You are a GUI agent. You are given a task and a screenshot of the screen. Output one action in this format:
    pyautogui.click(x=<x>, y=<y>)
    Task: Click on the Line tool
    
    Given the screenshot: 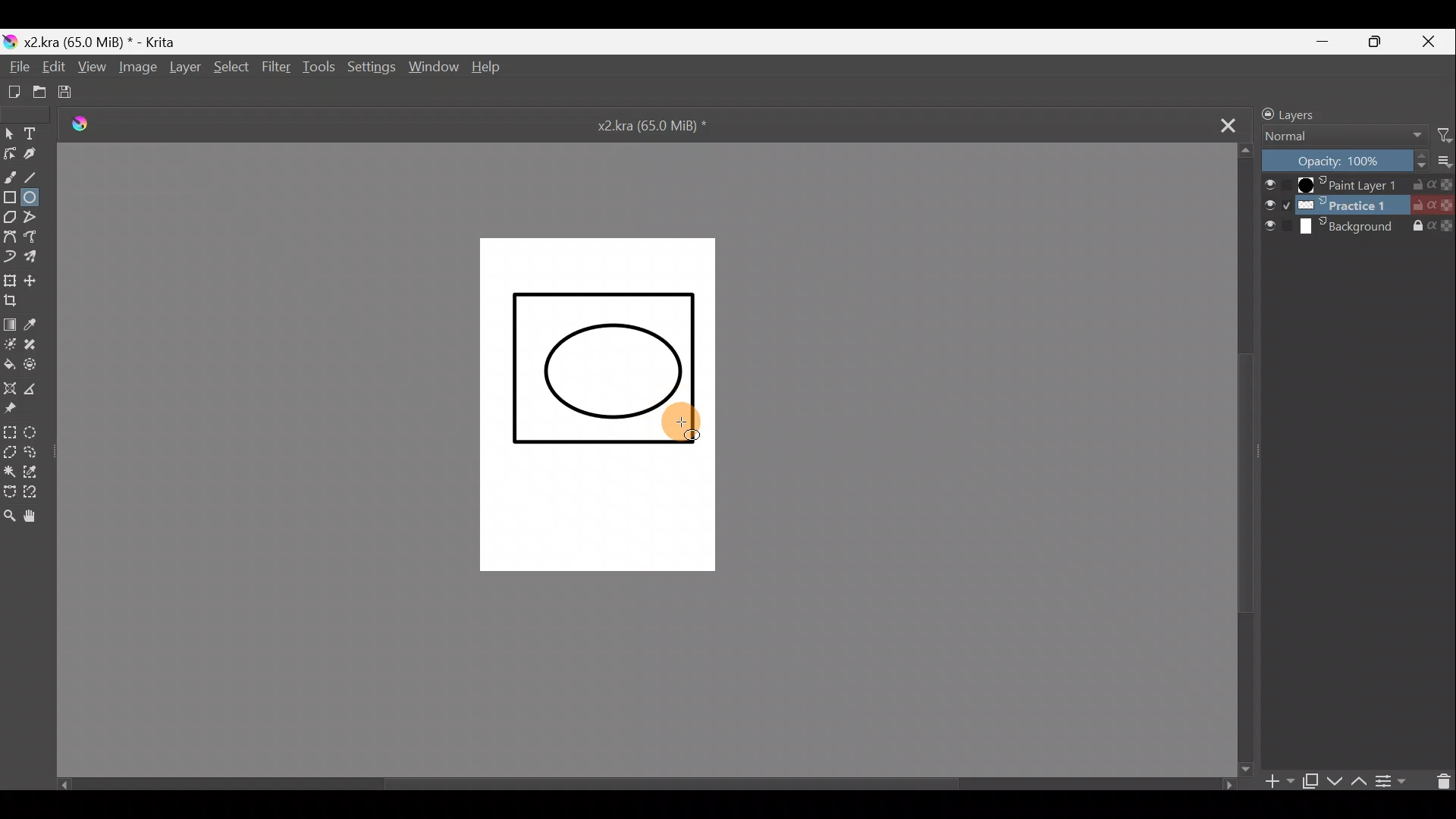 What is the action you would take?
    pyautogui.click(x=37, y=175)
    